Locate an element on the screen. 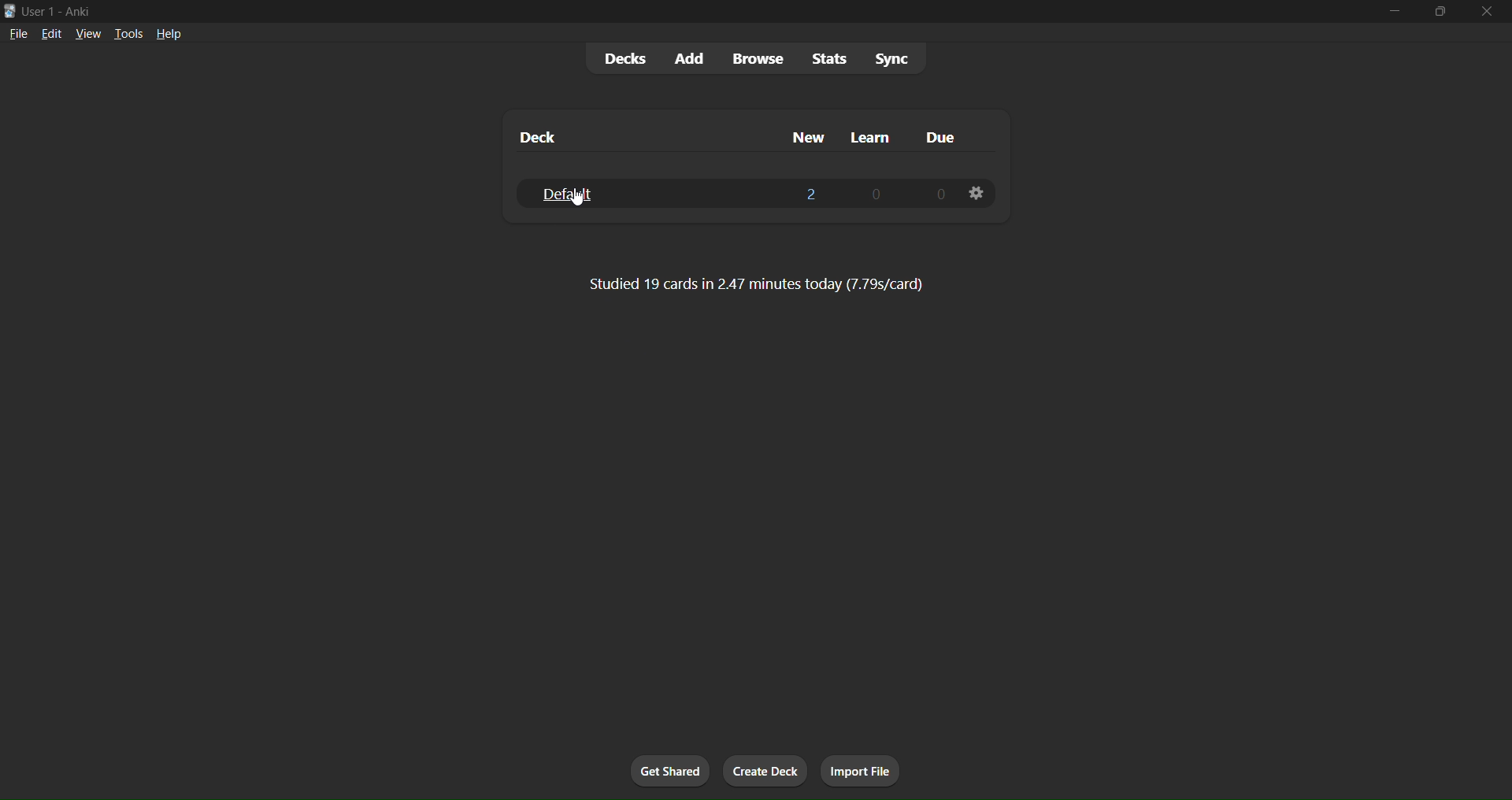  logo is located at coordinates (9, 9).